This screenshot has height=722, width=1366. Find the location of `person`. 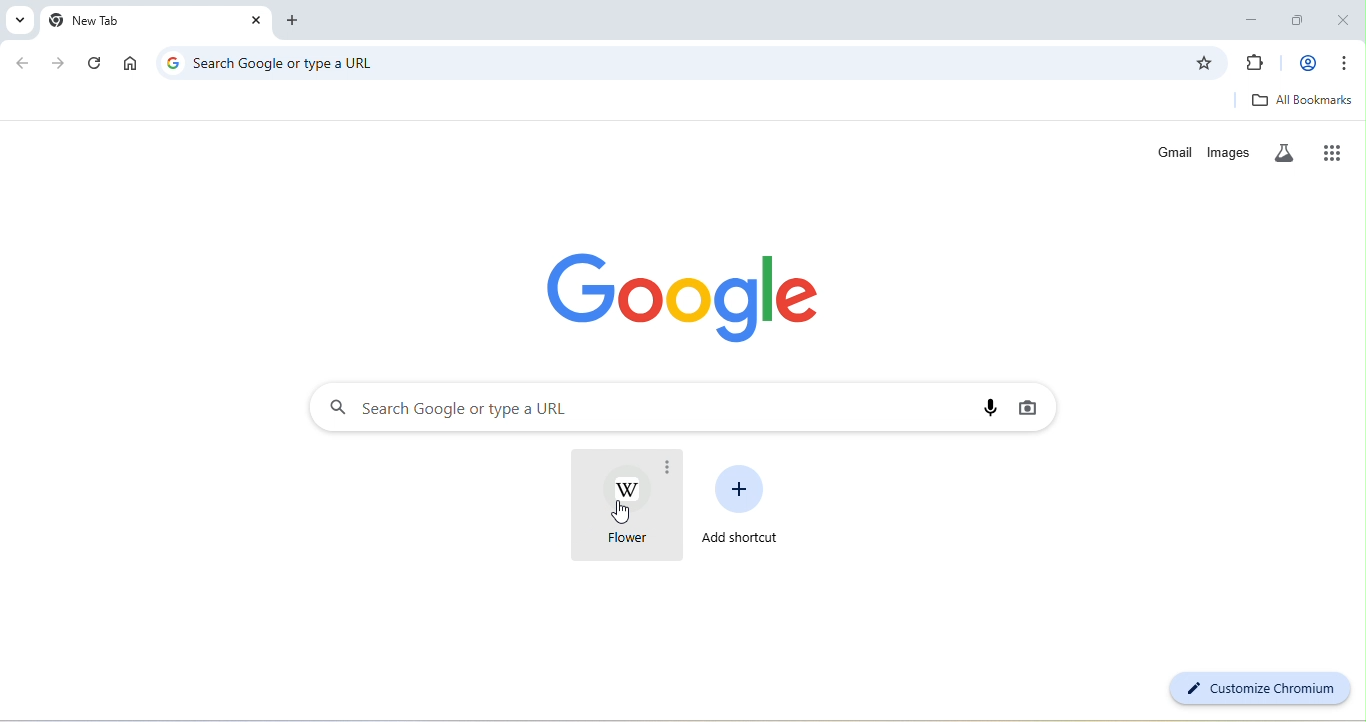

person is located at coordinates (1307, 64).